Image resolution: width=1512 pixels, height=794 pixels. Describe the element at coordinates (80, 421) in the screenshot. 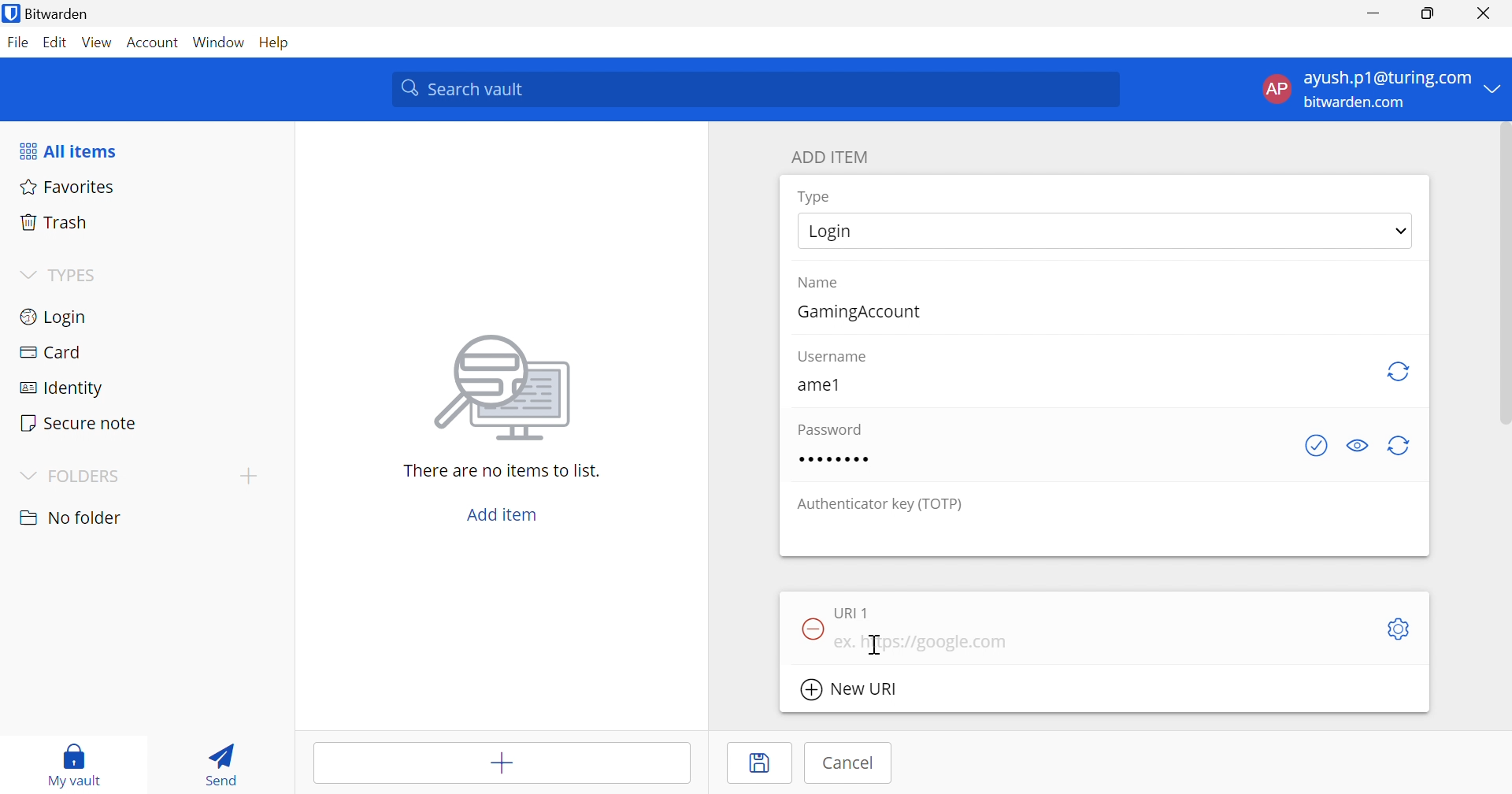

I see `Secure note` at that location.